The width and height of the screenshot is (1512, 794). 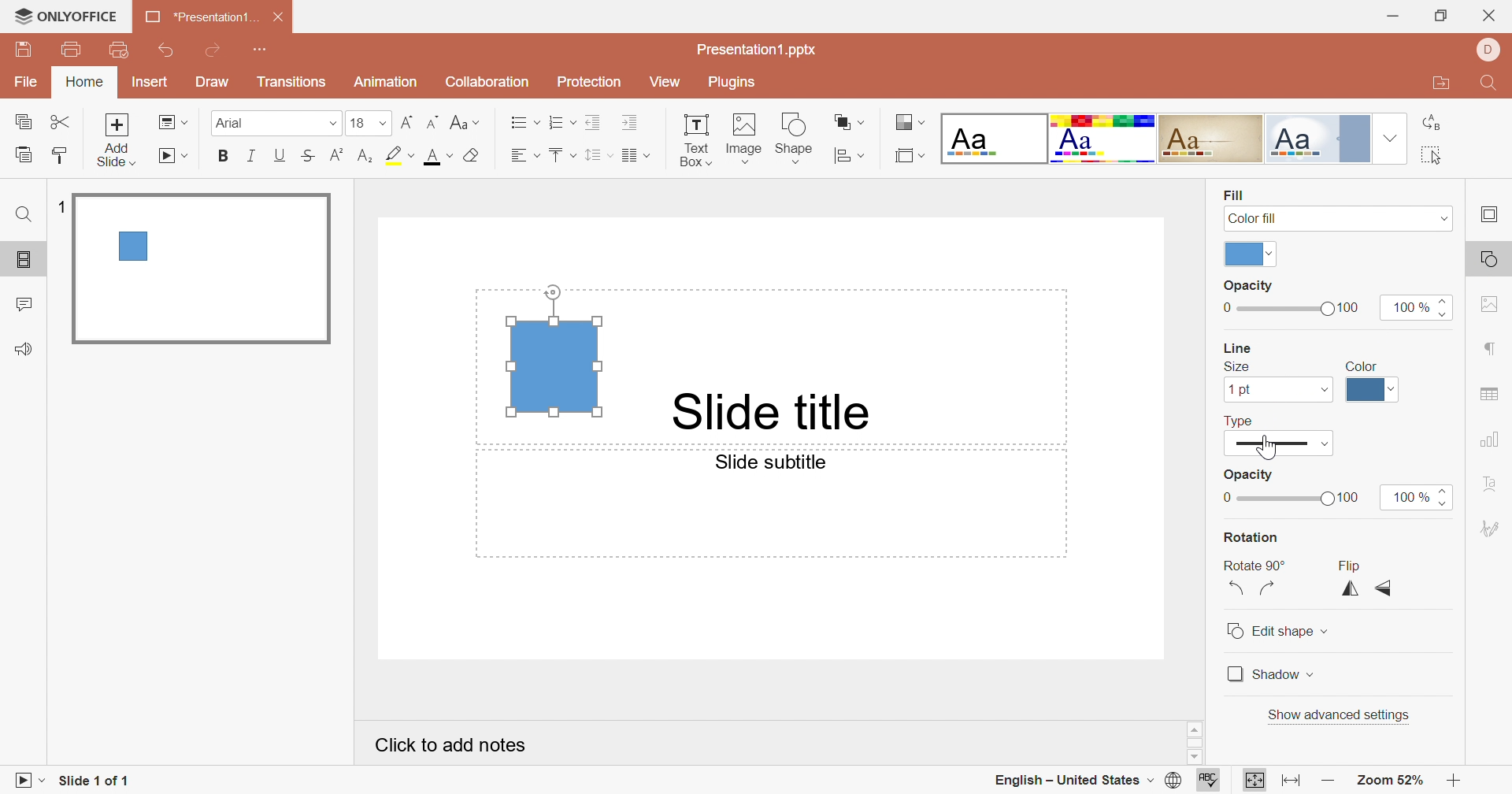 What do you see at coordinates (368, 123) in the screenshot?
I see `13` at bounding box center [368, 123].